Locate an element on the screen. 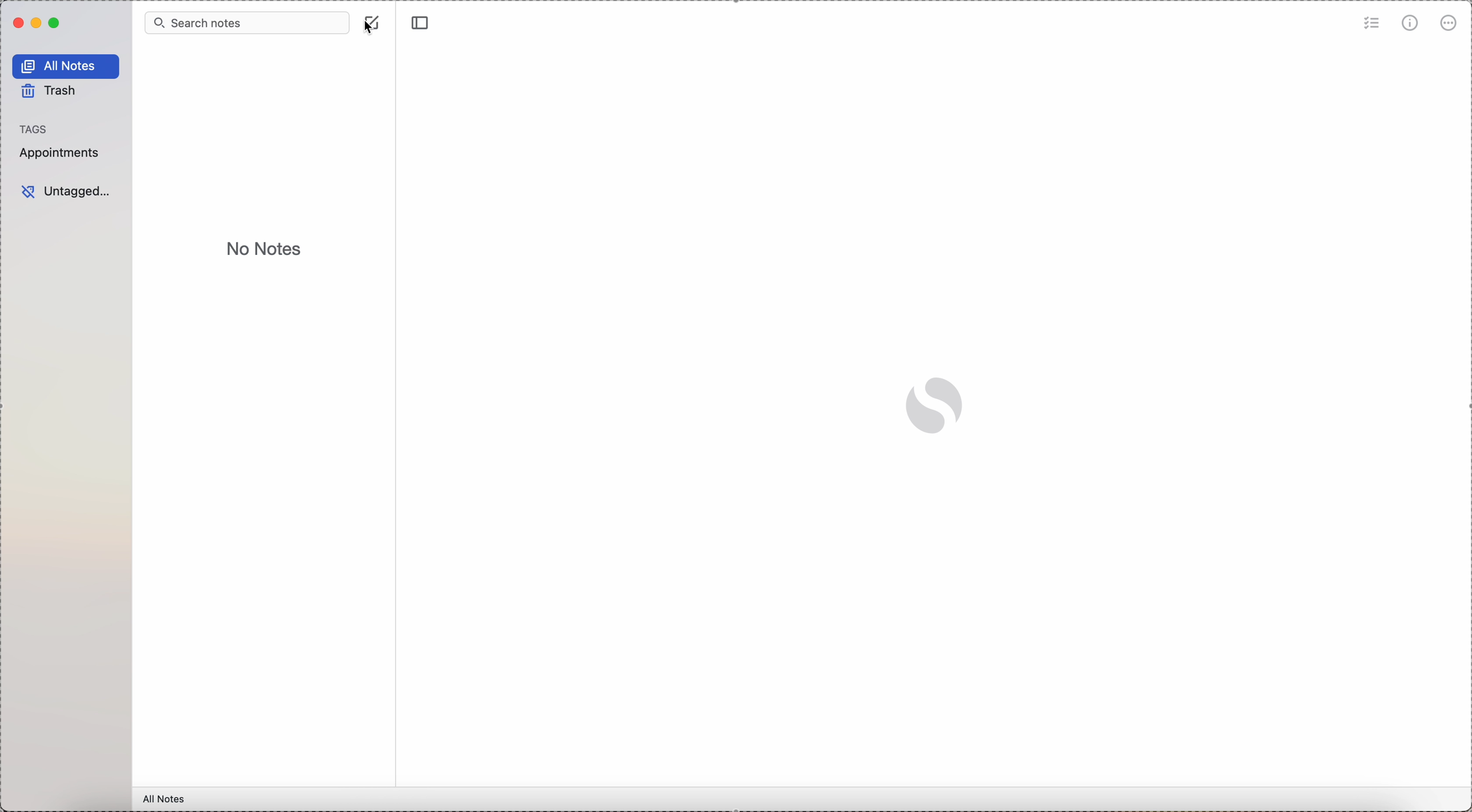 The height and width of the screenshot is (812, 1472). search bar is located at coordinates (247, 22).